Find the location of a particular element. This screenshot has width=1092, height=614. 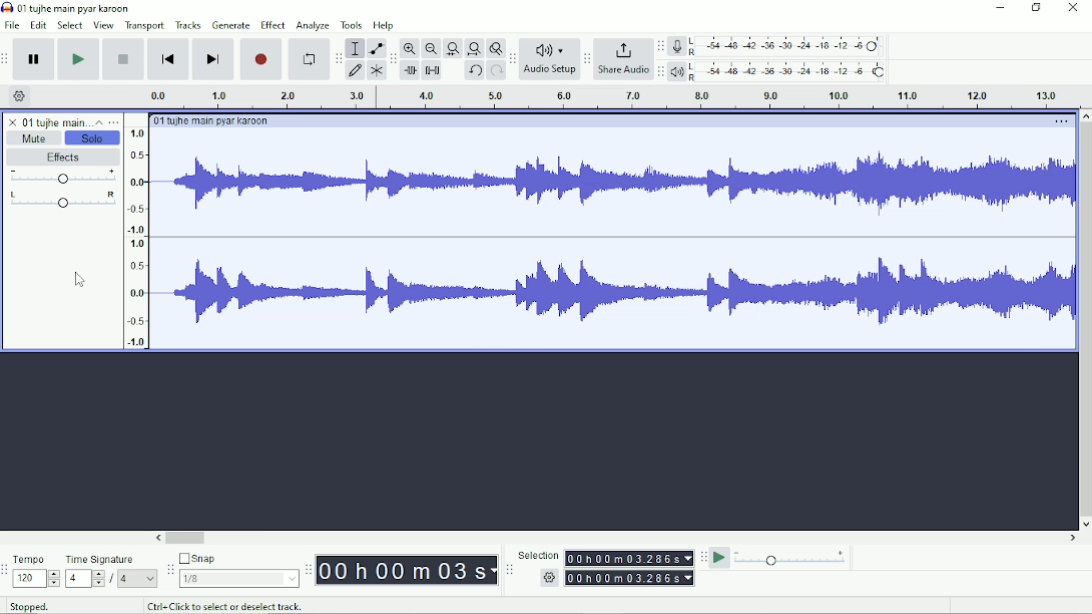

Audacity playback meter toolbar is located at coordinates (660, 72).